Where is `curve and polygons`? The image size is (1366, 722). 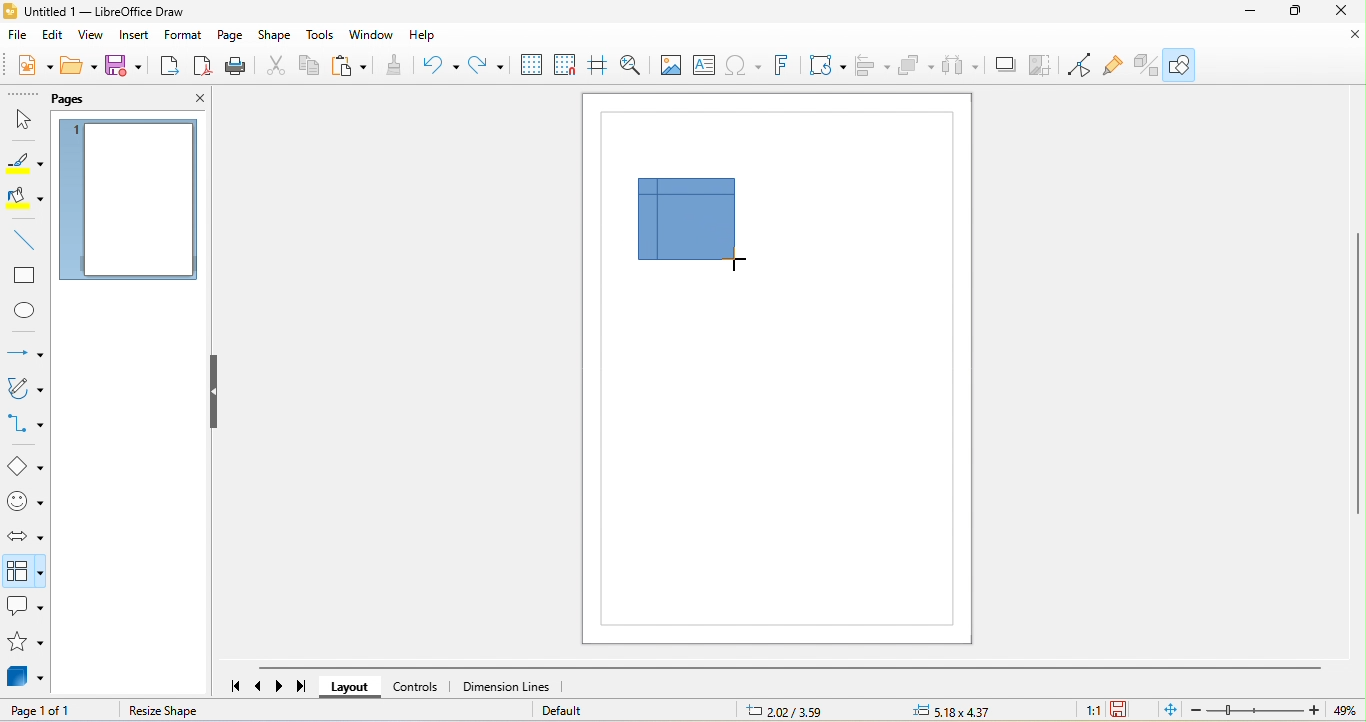
curve and polygons is located at coordinates (24, 390).